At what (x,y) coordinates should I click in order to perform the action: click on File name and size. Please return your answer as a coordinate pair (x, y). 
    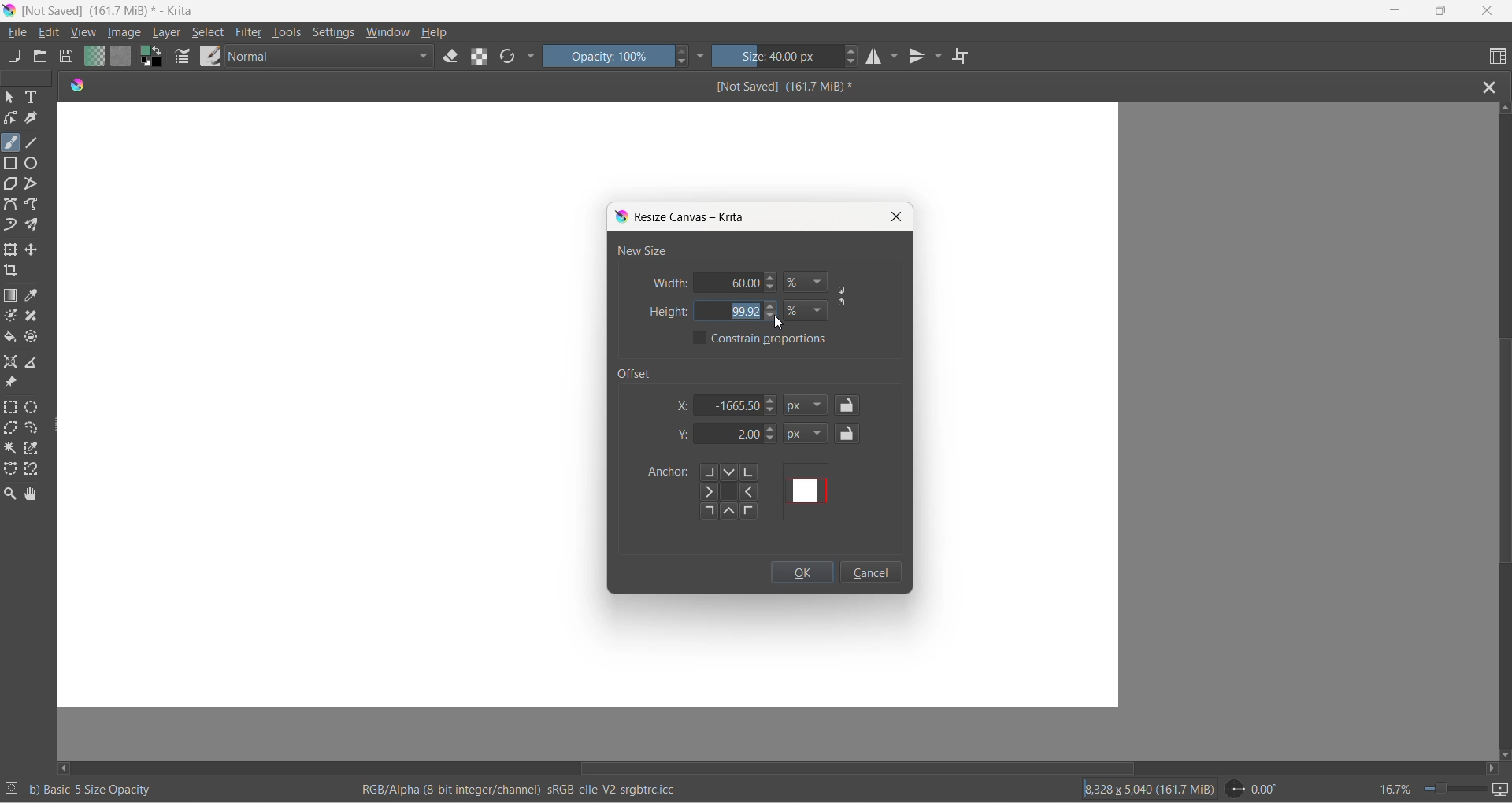
    Looking at the image, I should click on (105, 12).